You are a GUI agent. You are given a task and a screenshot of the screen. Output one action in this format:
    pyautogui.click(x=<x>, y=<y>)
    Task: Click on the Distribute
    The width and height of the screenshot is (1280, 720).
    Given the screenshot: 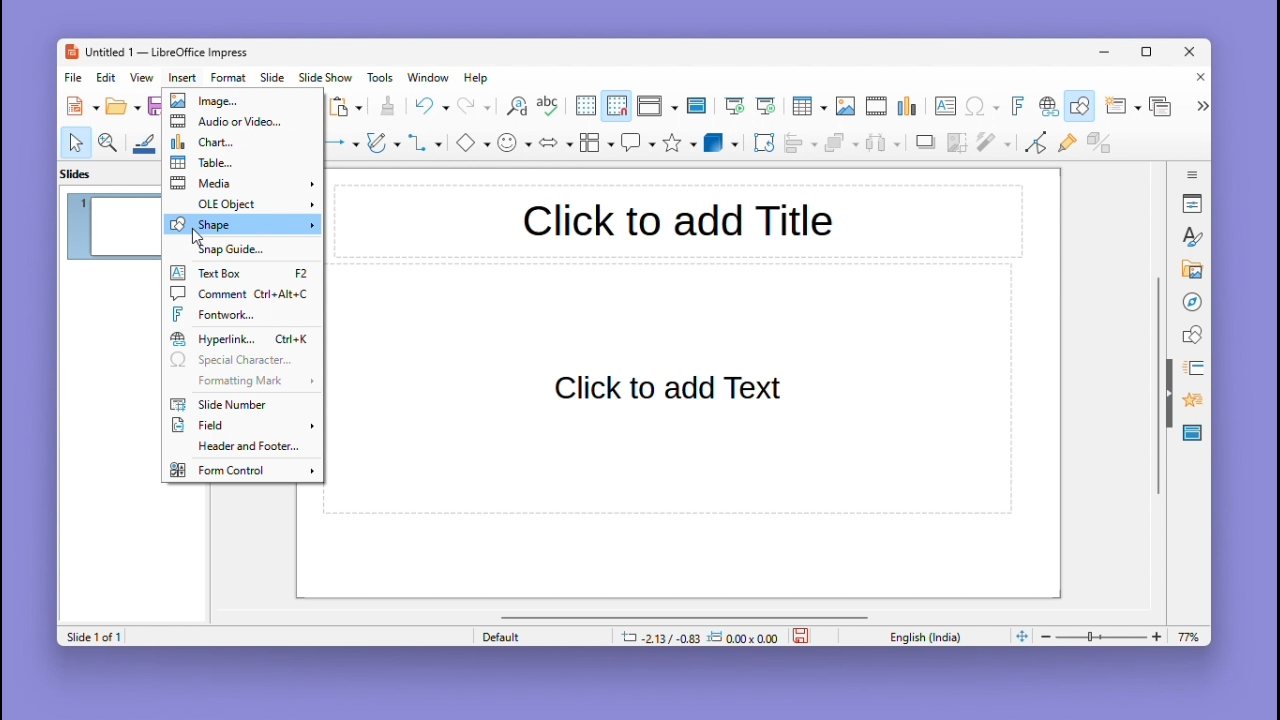 What is the action you would take?
    pyautogui.click(x=886, y=145)
    